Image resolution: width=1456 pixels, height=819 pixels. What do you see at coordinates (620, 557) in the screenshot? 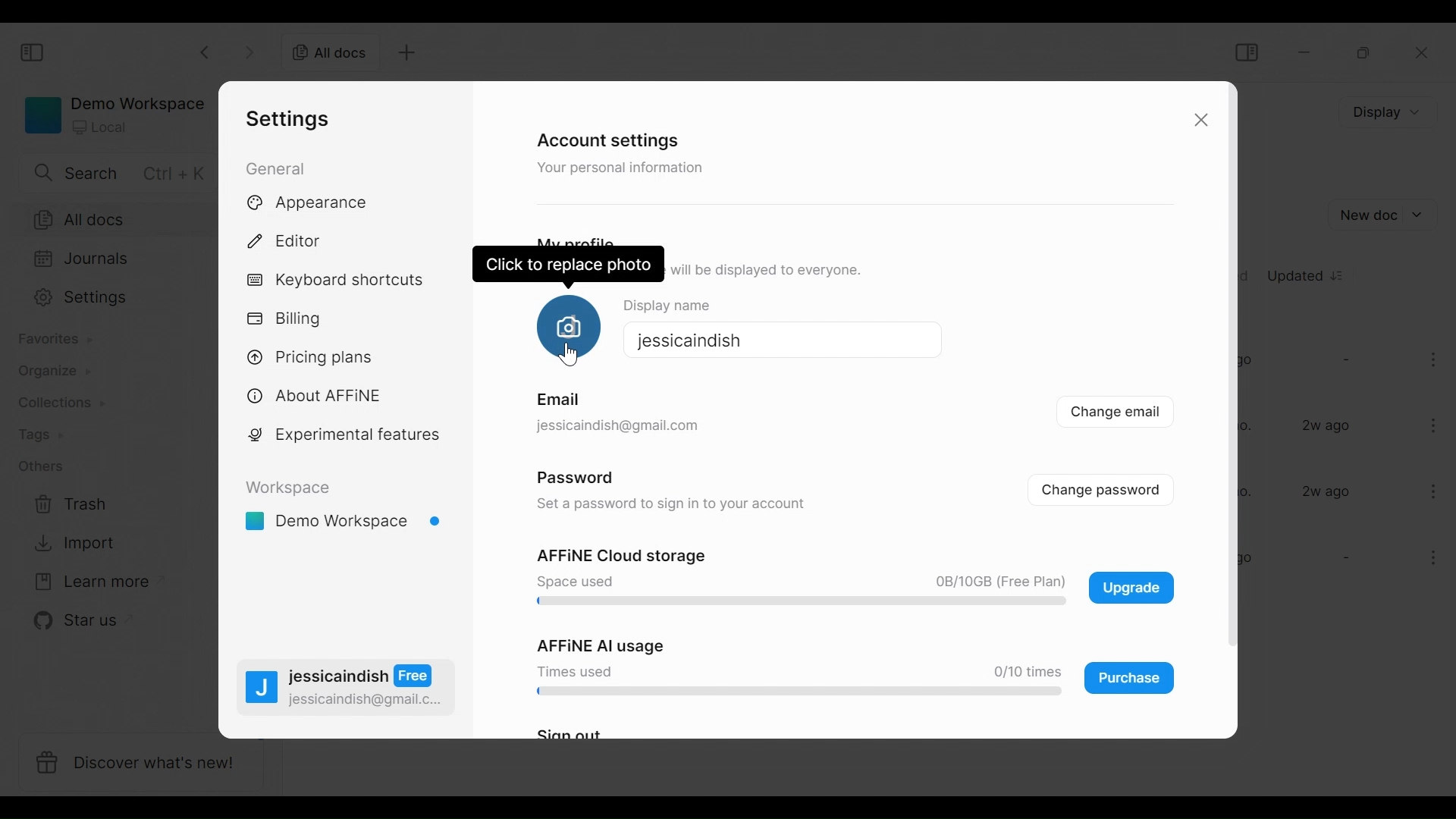
I see `AFFINE Cloud storage` at bounding box center [620, 557].